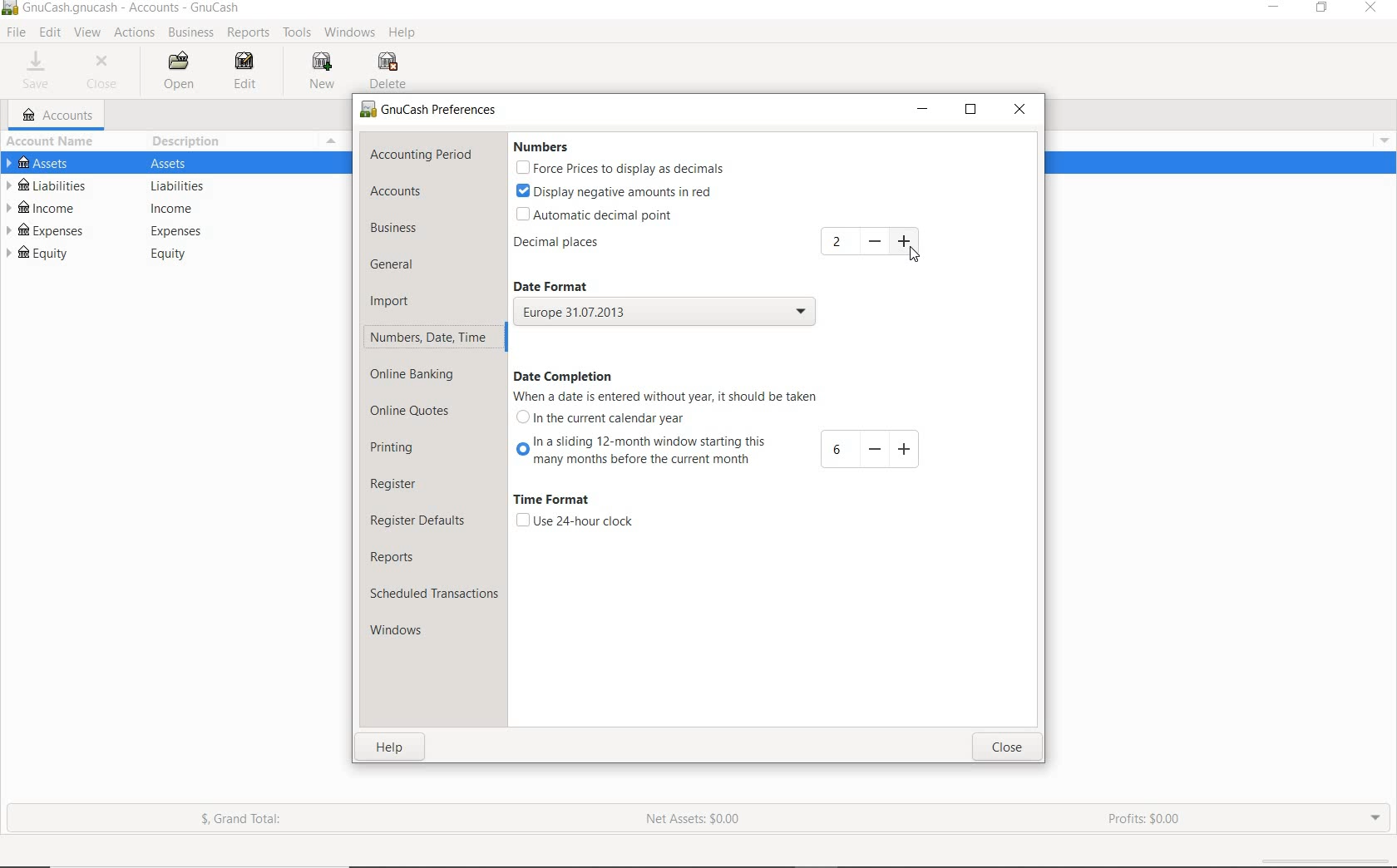 This screenshot has height=868, width=1397. What do you see at coordinates (243, 820) in the screenshot?
I see `GRAND TOTAL` at bounding box center [243, 820].